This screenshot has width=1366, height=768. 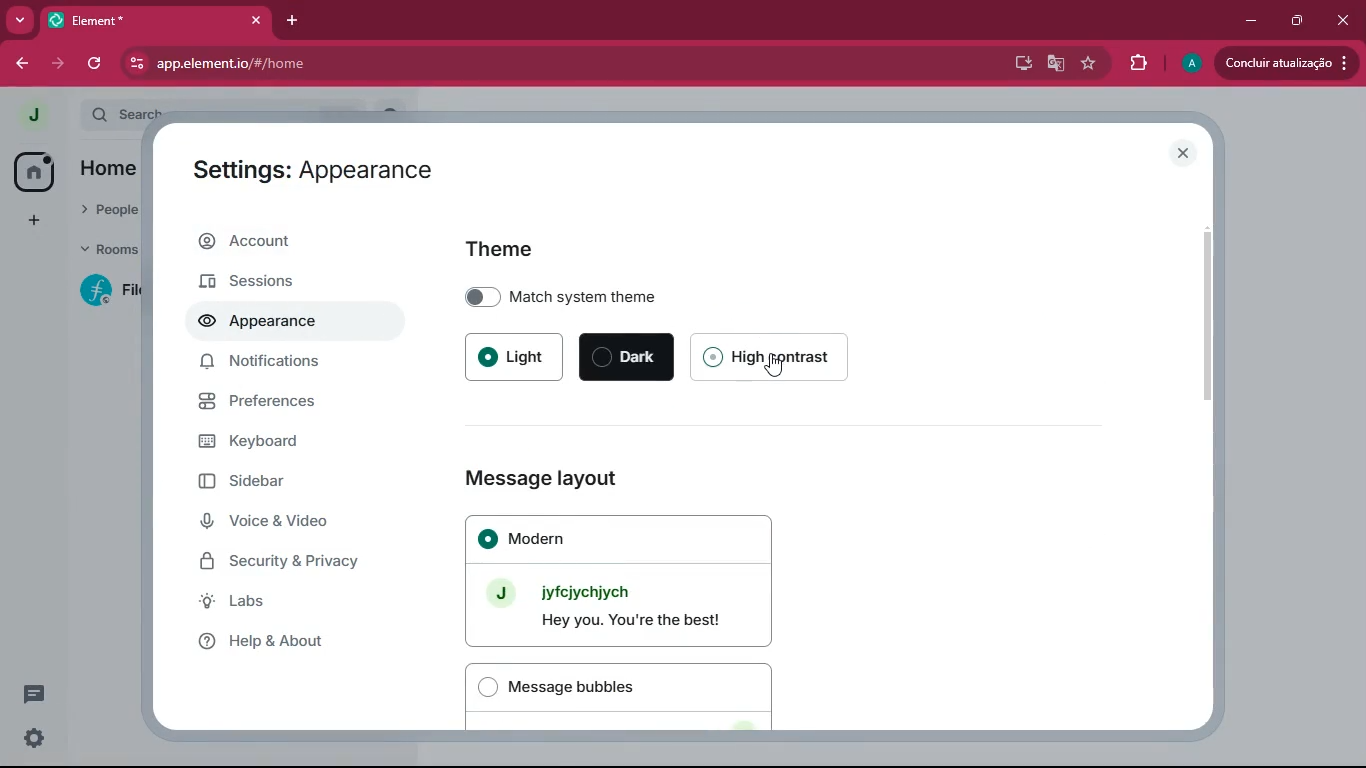 I want to click on scroll bar, so click(x=1208, y=316).